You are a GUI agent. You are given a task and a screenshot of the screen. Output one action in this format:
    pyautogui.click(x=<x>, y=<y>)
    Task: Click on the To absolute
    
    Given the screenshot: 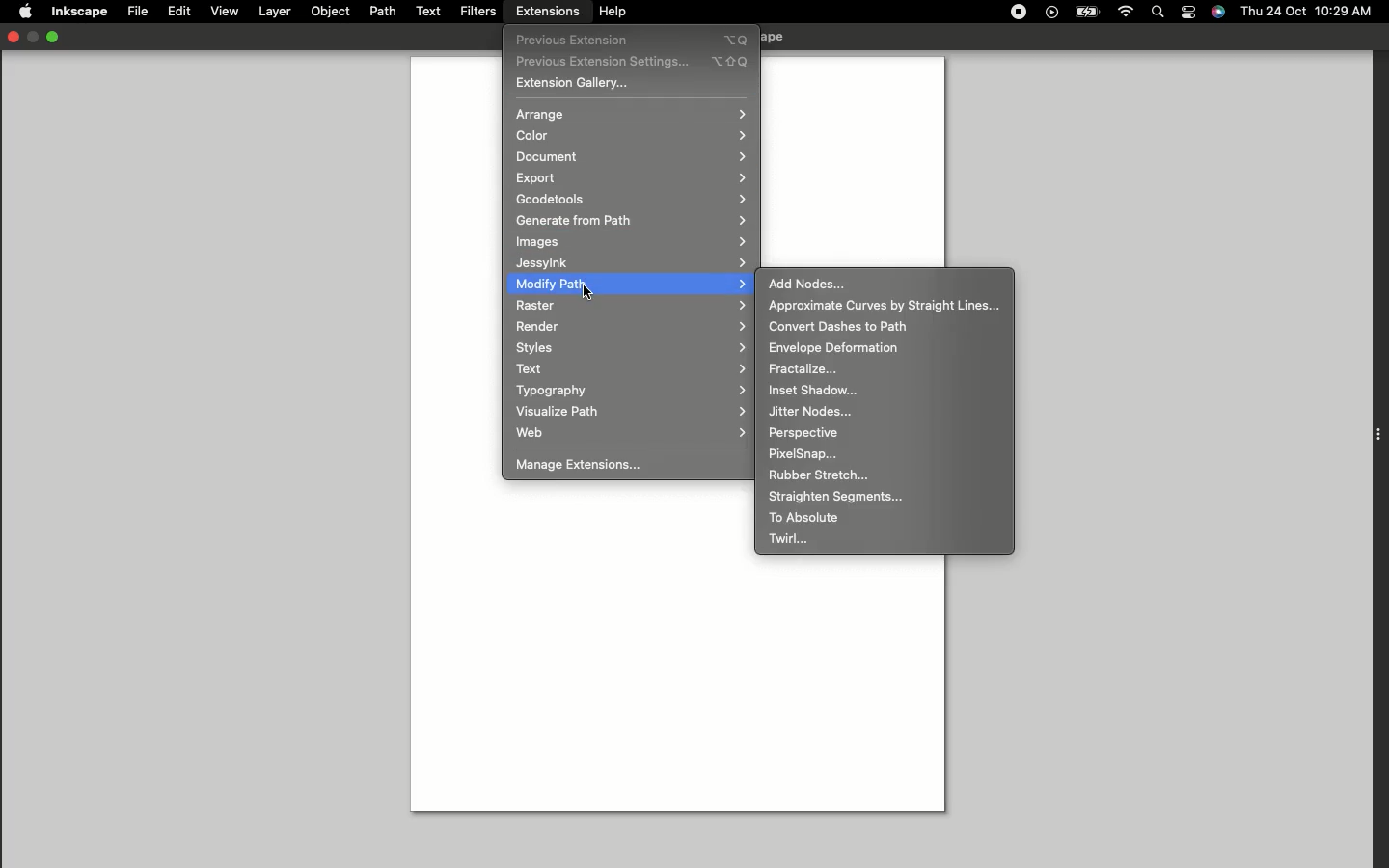 What is the action you would take?
    pyautogui.click(x=805, y=518)
    